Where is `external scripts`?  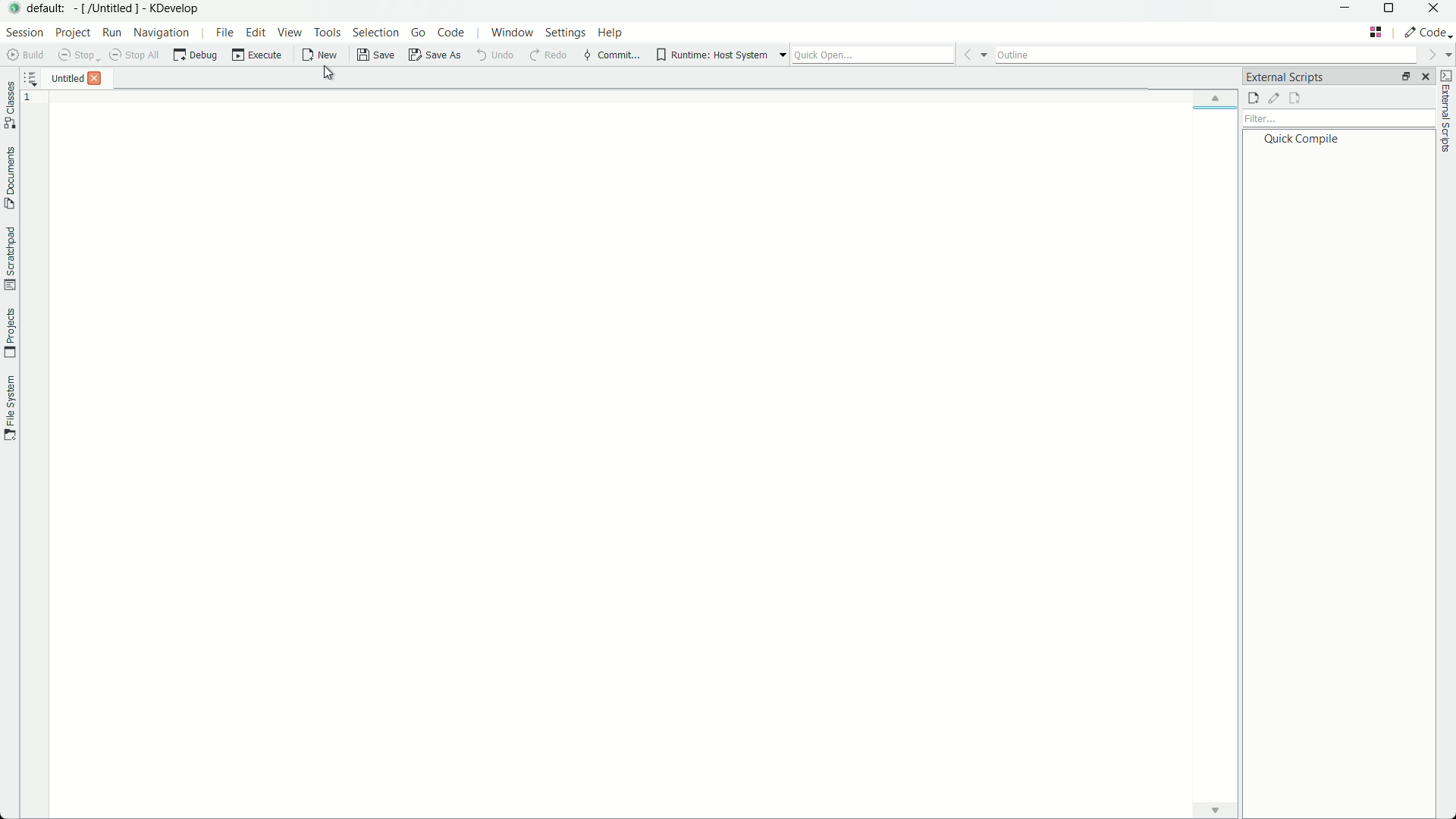
external scripts is located at coordinates (1285, 78).